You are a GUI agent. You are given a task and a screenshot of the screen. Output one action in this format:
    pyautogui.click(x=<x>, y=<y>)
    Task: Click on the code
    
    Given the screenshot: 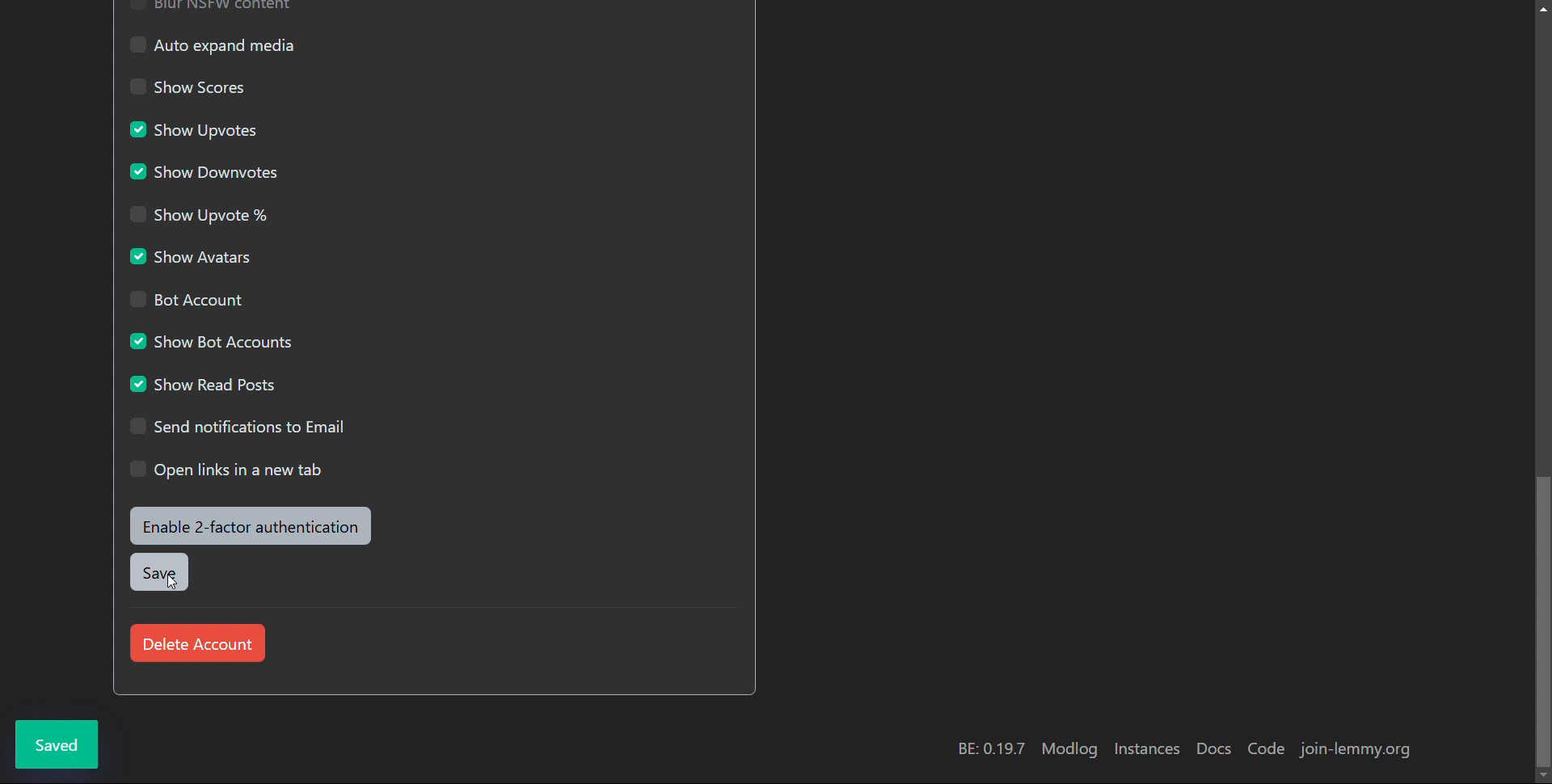 What is the action you would take?
    pyautogui.click(x=1267, y=748)
    